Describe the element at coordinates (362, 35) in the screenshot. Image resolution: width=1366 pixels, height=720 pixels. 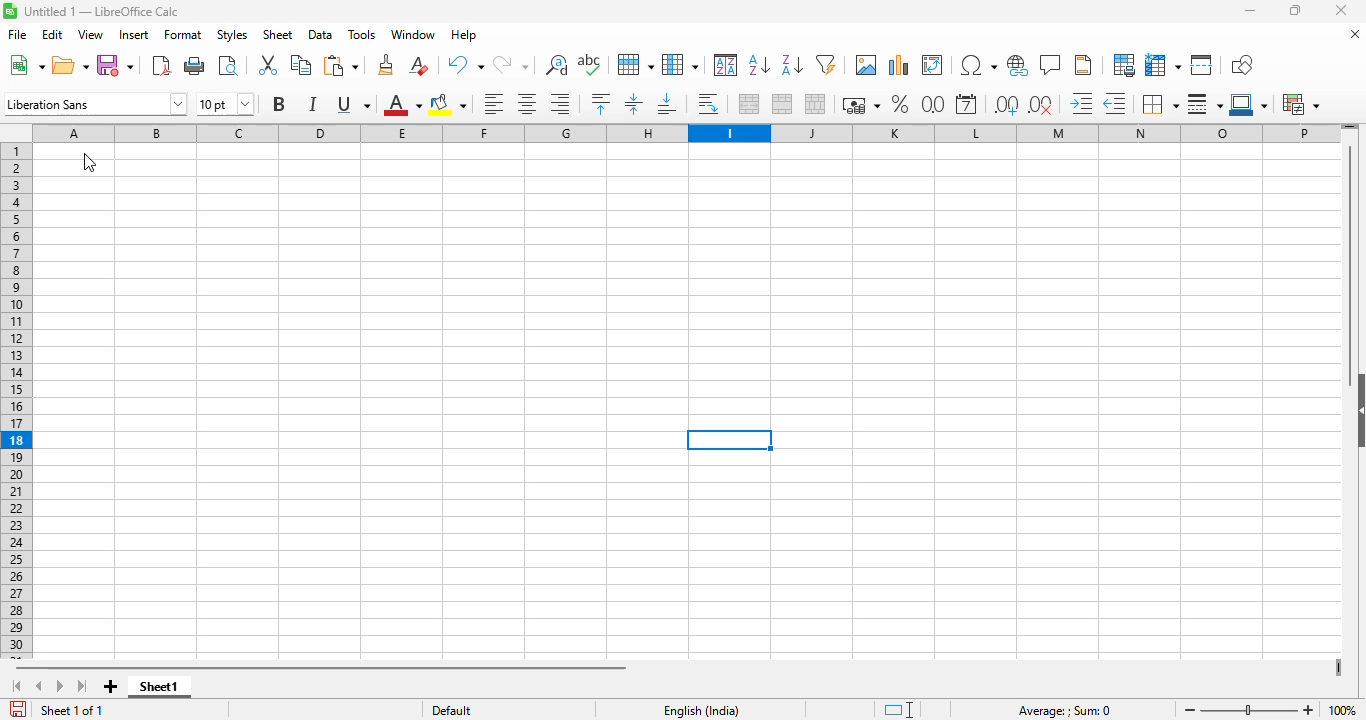
I see `tools` at that location.